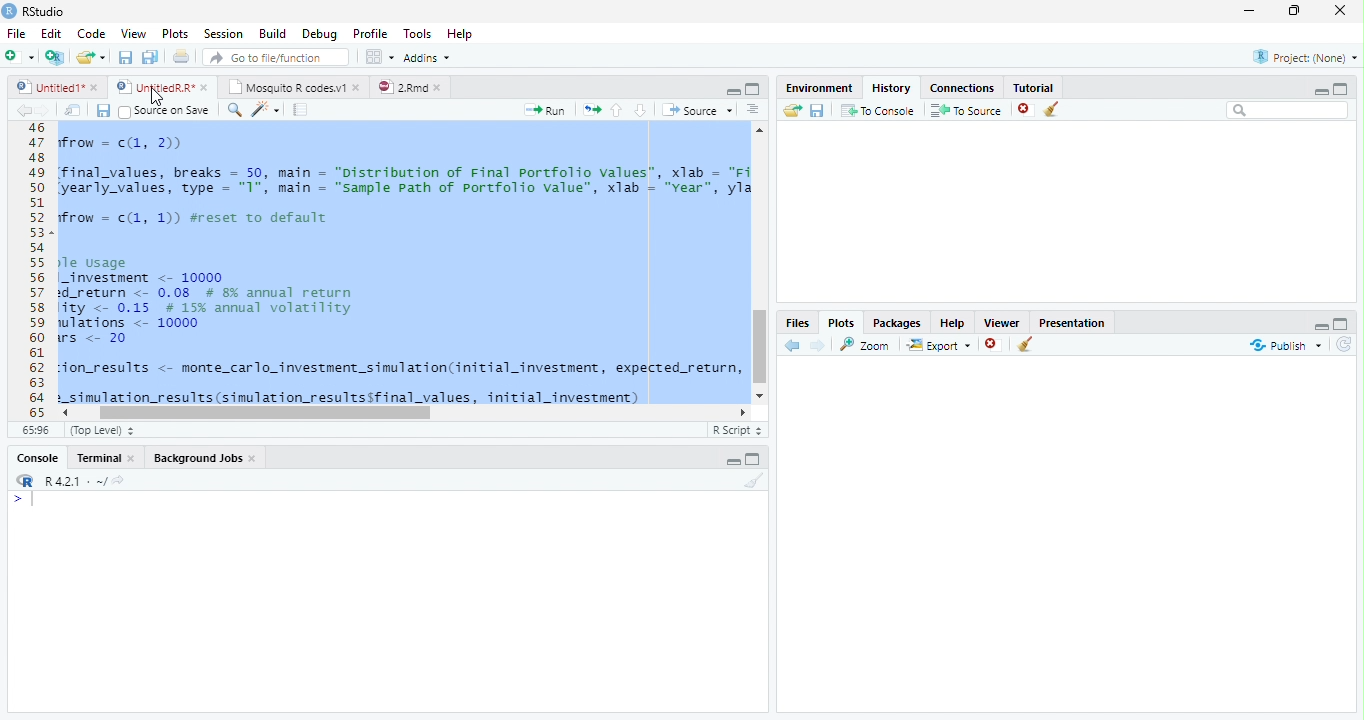  What do you see at coordinates (642, 111) in the screenshot?
I see `Go to next section of code` at bounding box center [642, 111].